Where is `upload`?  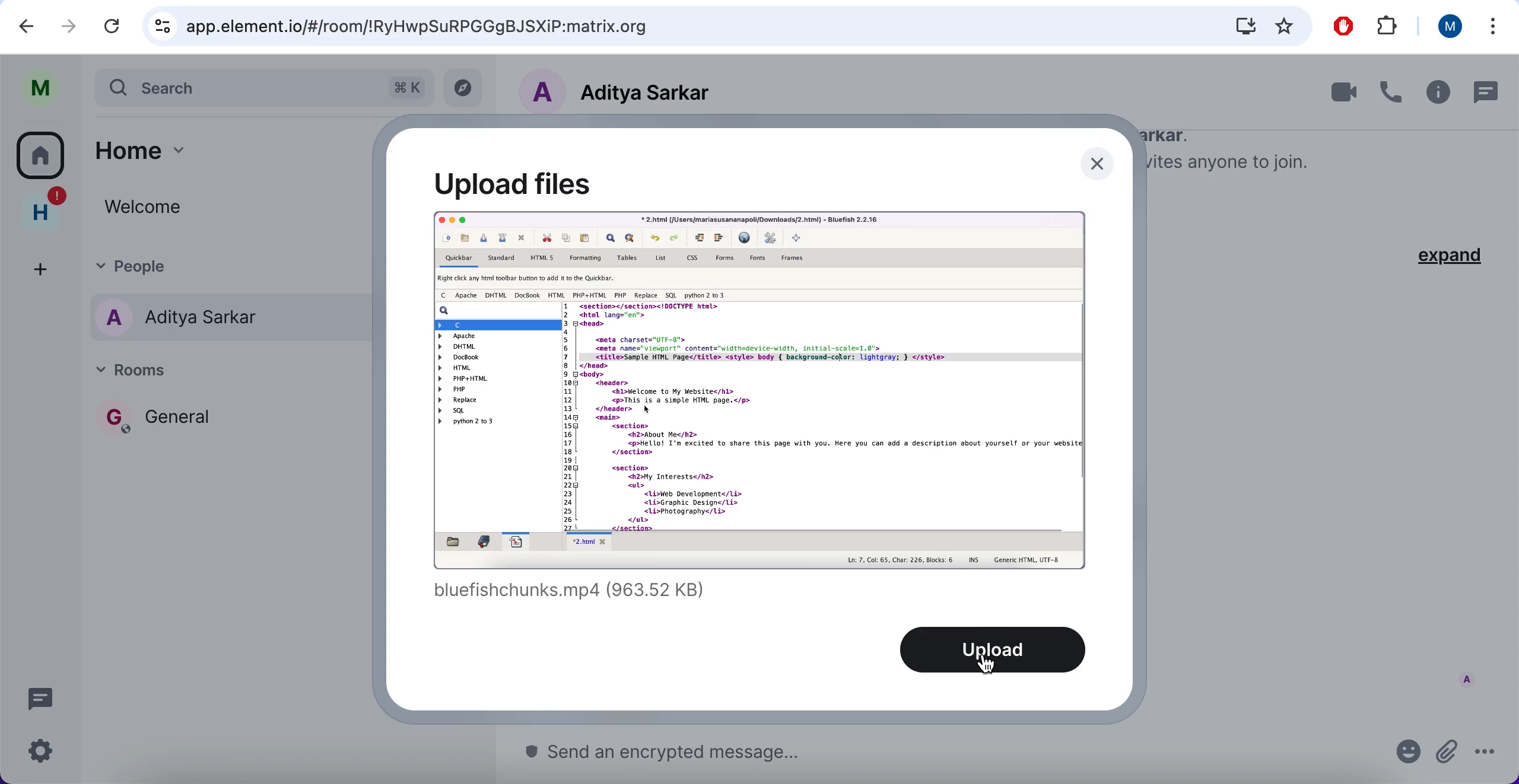
upload is located at coordinates (993, 649).